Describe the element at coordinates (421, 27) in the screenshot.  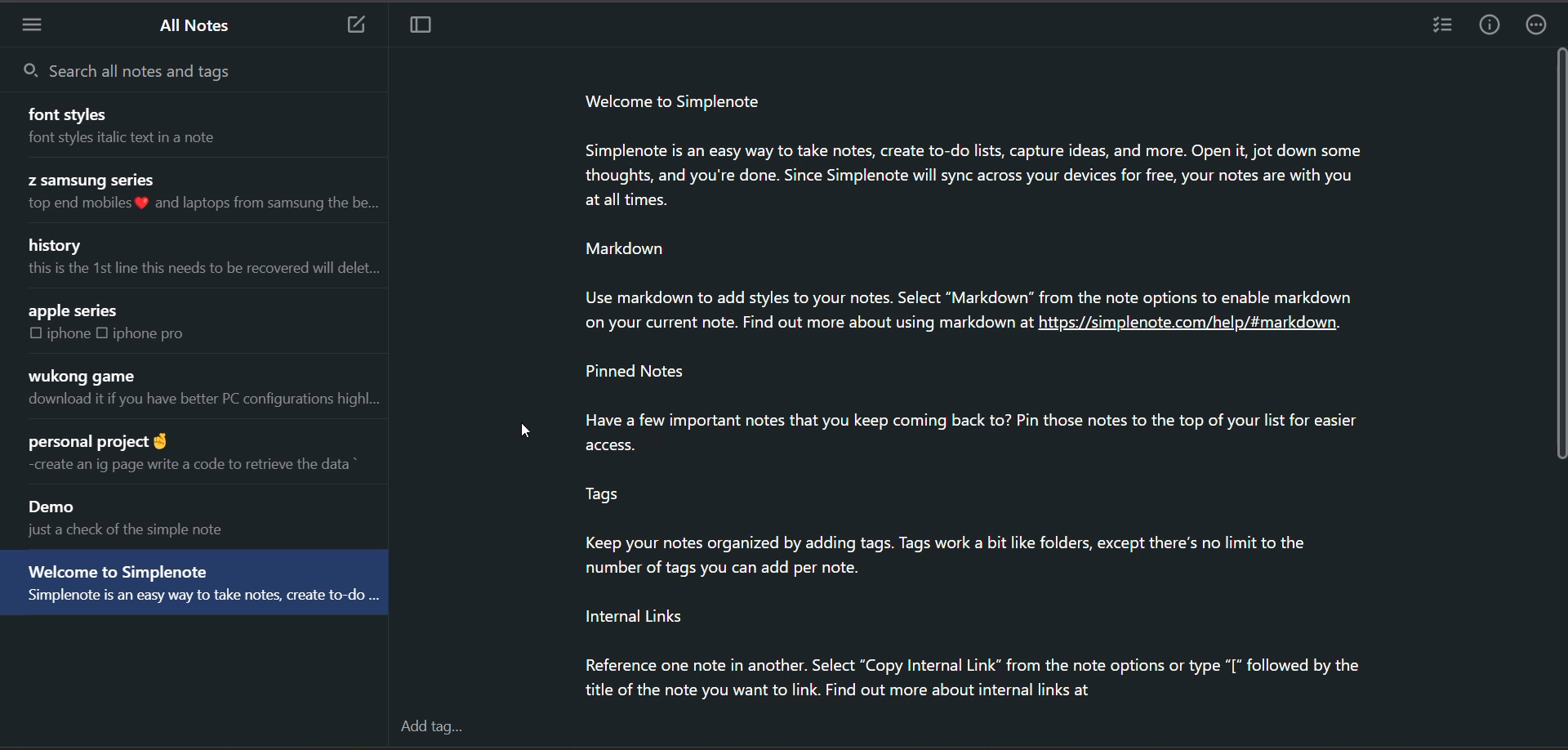
I see `toggle focus mode` at that location.